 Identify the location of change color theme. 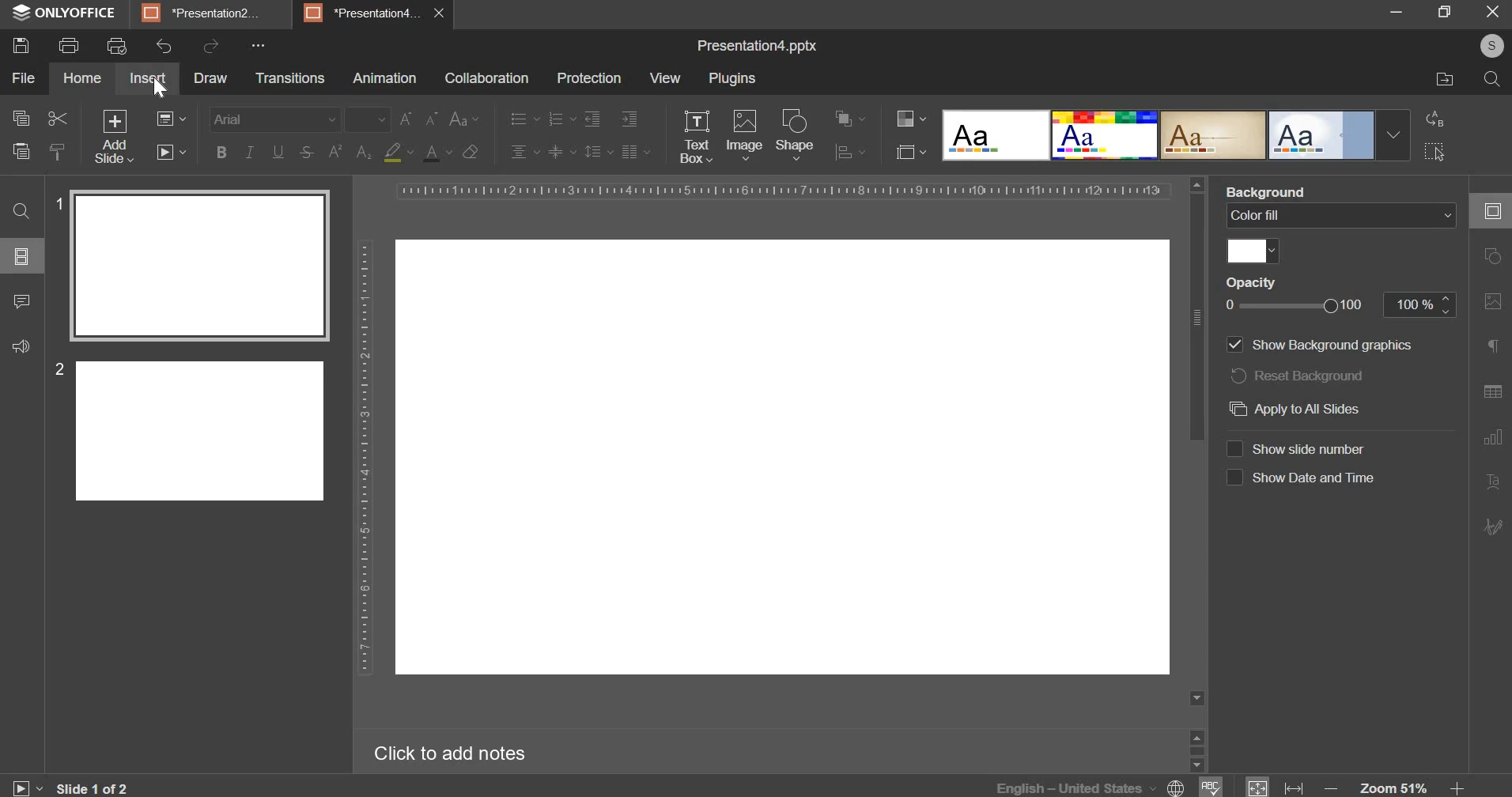
(905, 115).